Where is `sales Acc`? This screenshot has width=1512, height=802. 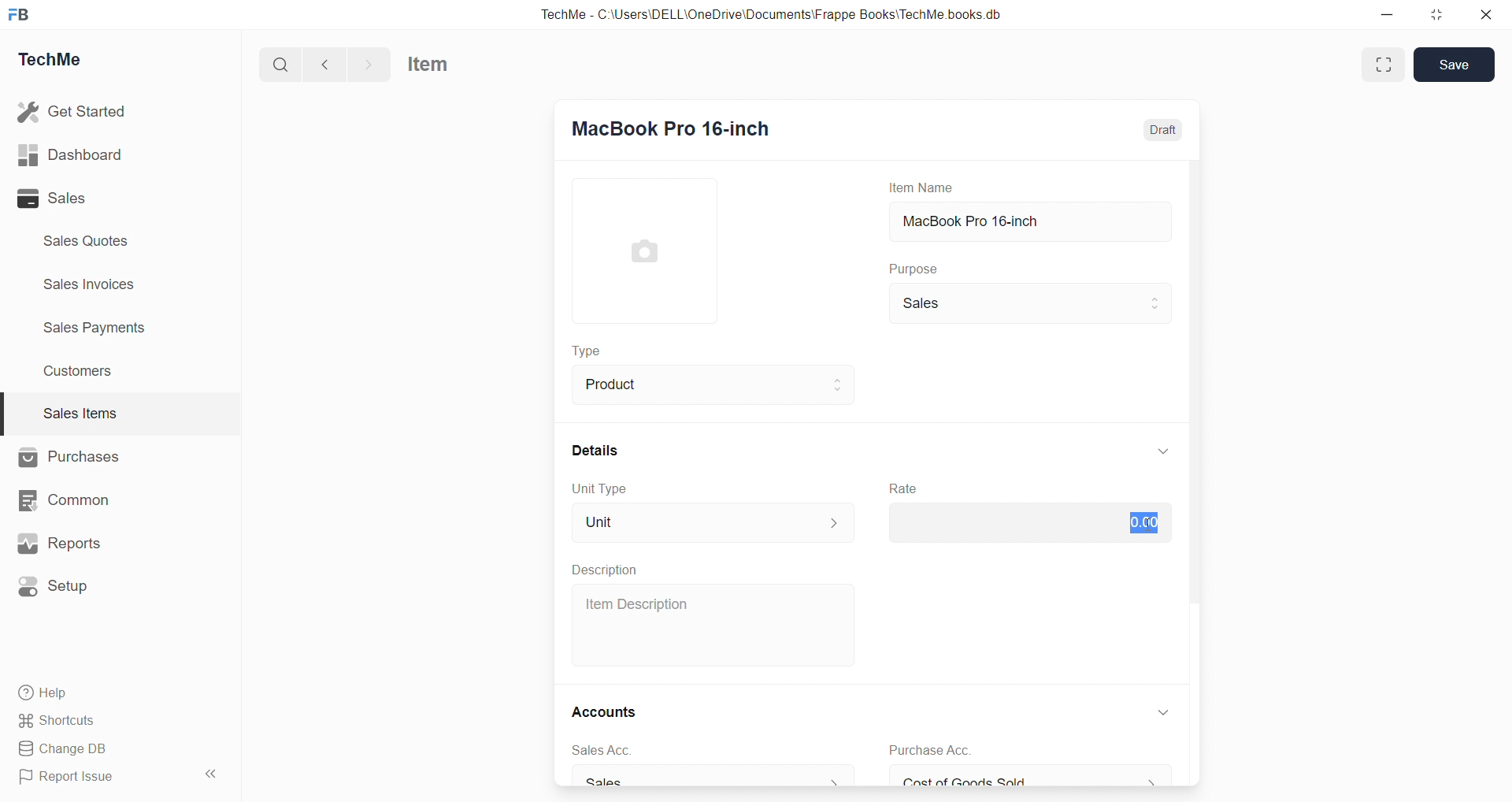
sales Acc is located at coordinates (600, 751).